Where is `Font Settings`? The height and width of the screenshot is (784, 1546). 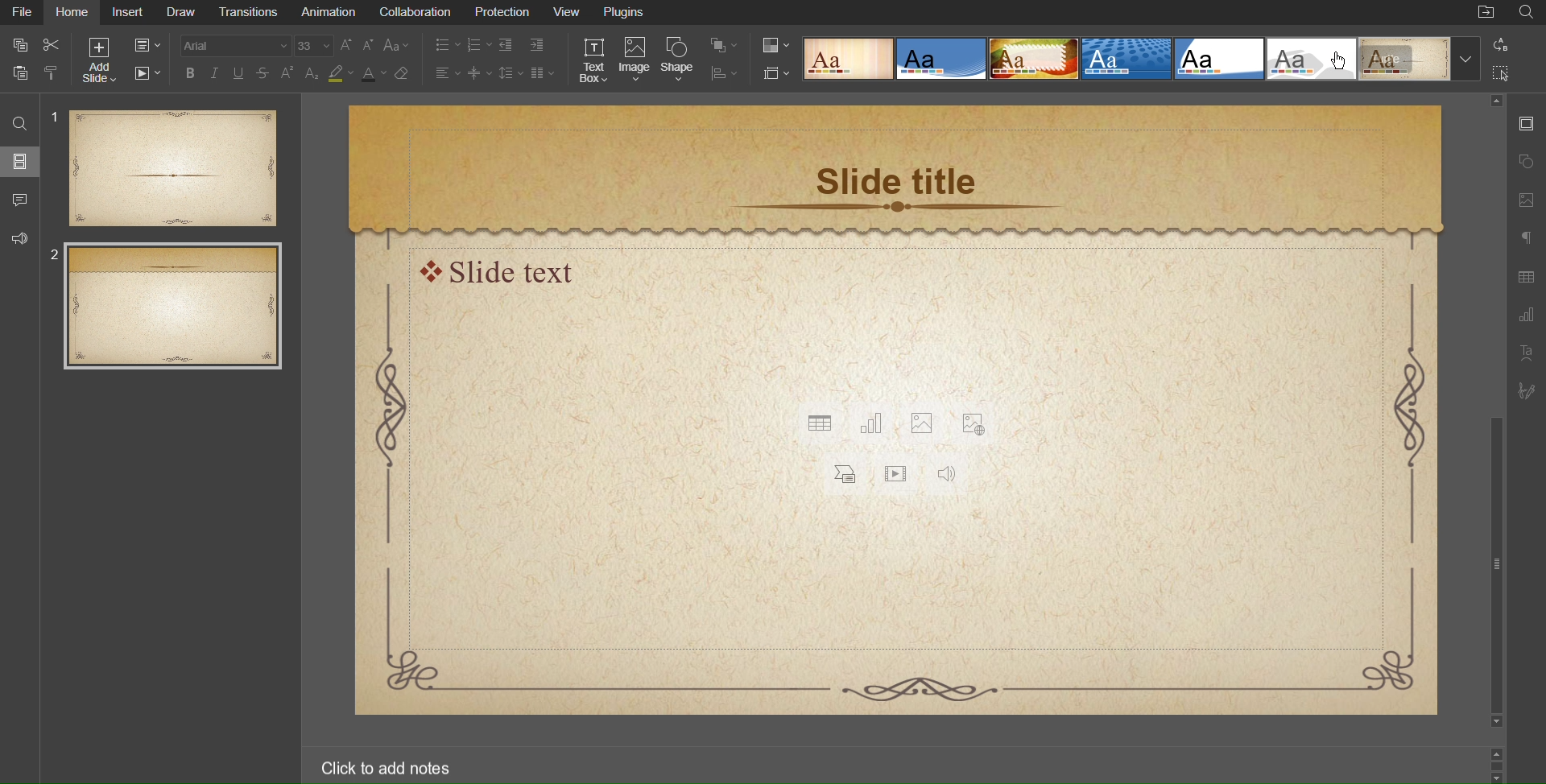 Font Settings is located at coordinates (258, 47).